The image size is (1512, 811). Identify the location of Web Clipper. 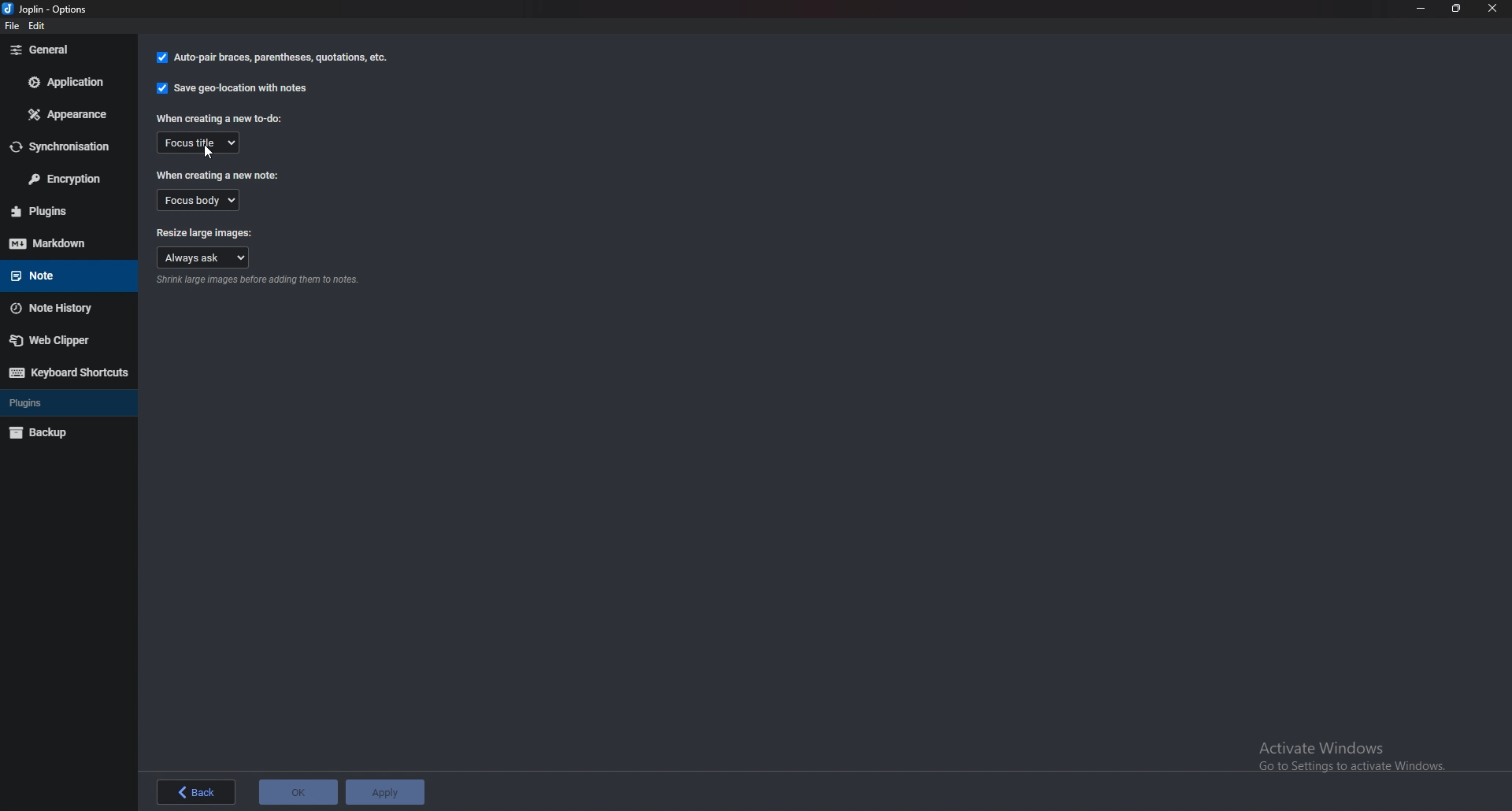
(63, 341).